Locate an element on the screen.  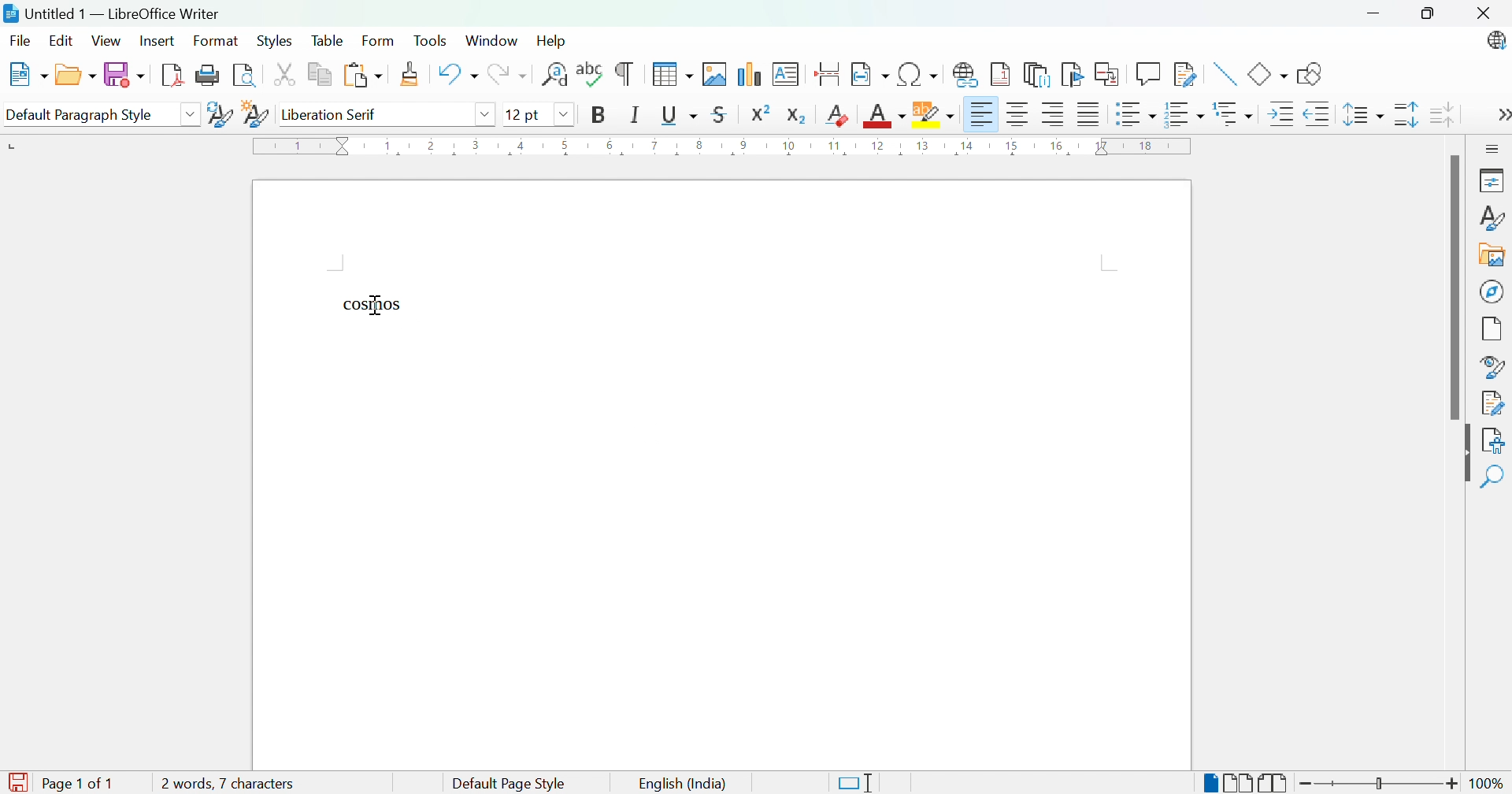
Drop down is located at coordinates (489, 117).